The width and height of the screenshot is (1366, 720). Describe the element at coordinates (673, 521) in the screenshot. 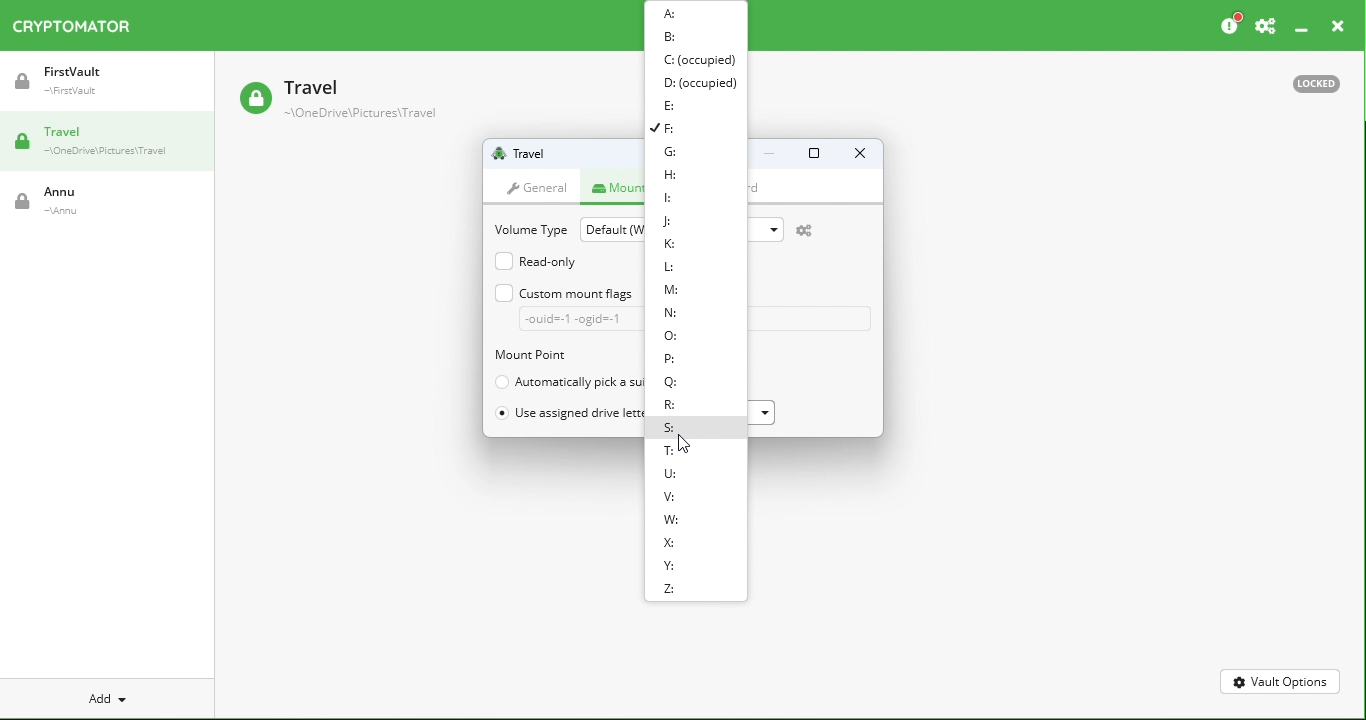

I see `W:` at that location.